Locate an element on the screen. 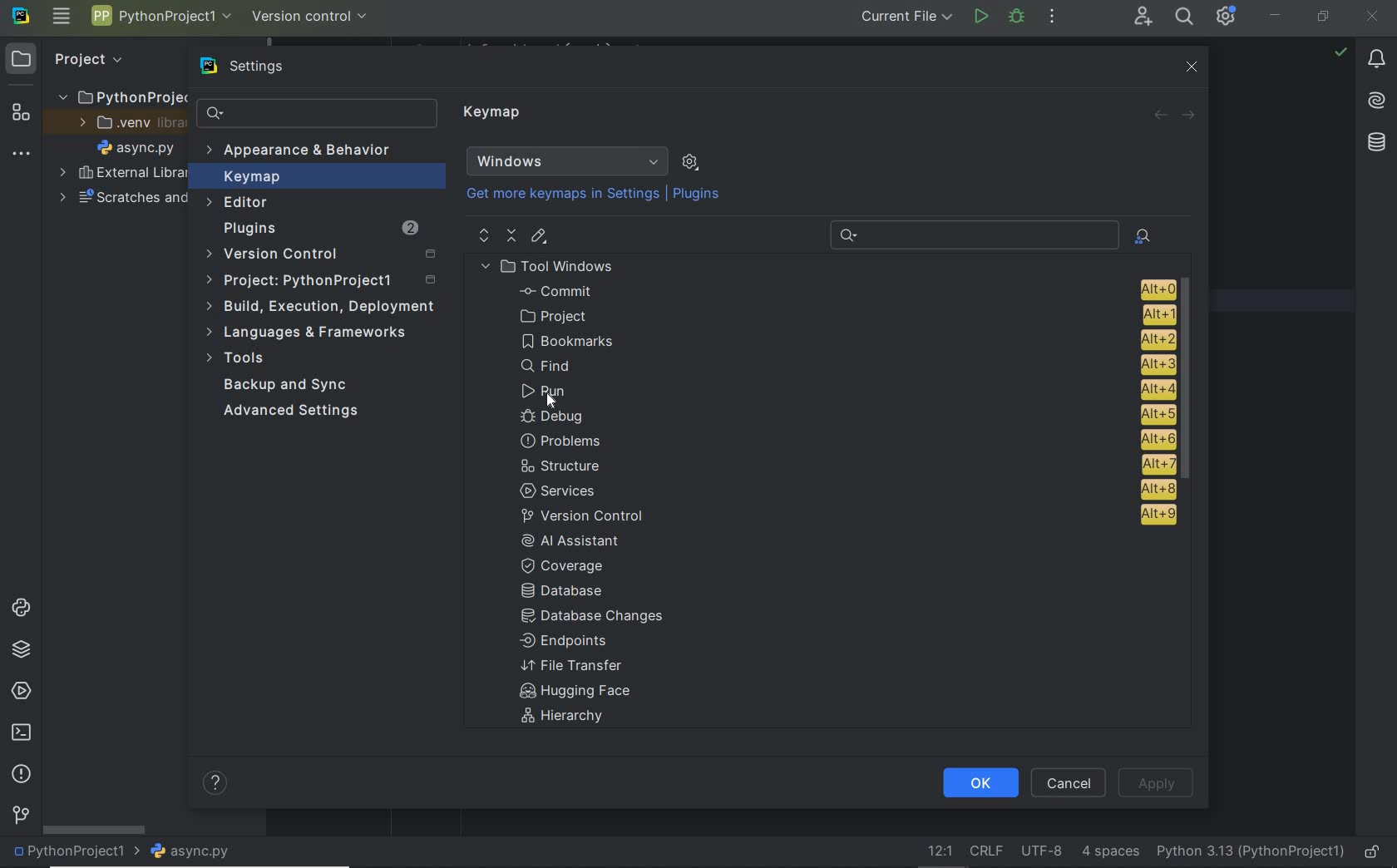 The height and width of the screenshot is (868, 1397). system name is located at coordinates (21, 17).